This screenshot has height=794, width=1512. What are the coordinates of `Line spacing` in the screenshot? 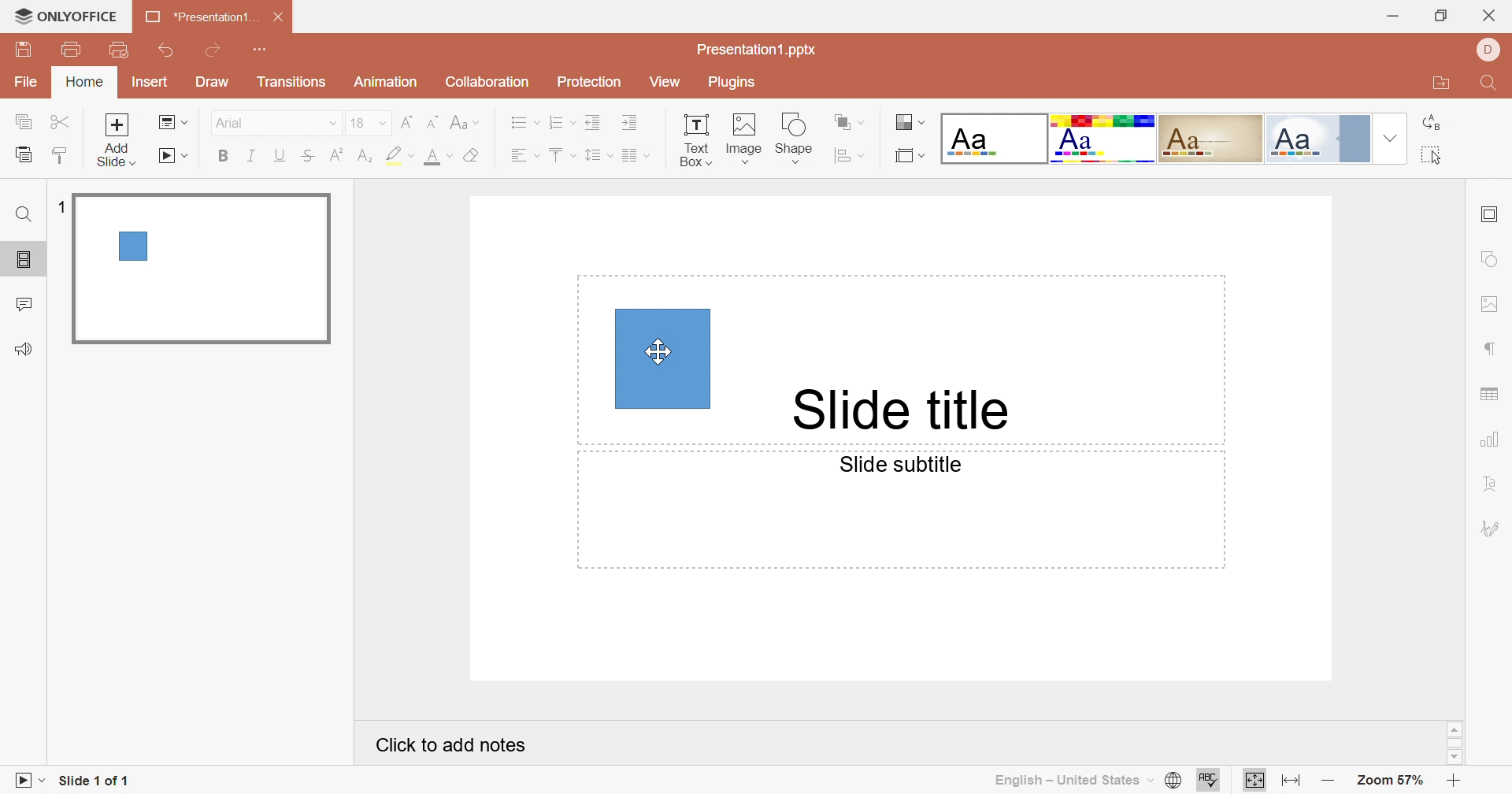 It's located at (598, 158).